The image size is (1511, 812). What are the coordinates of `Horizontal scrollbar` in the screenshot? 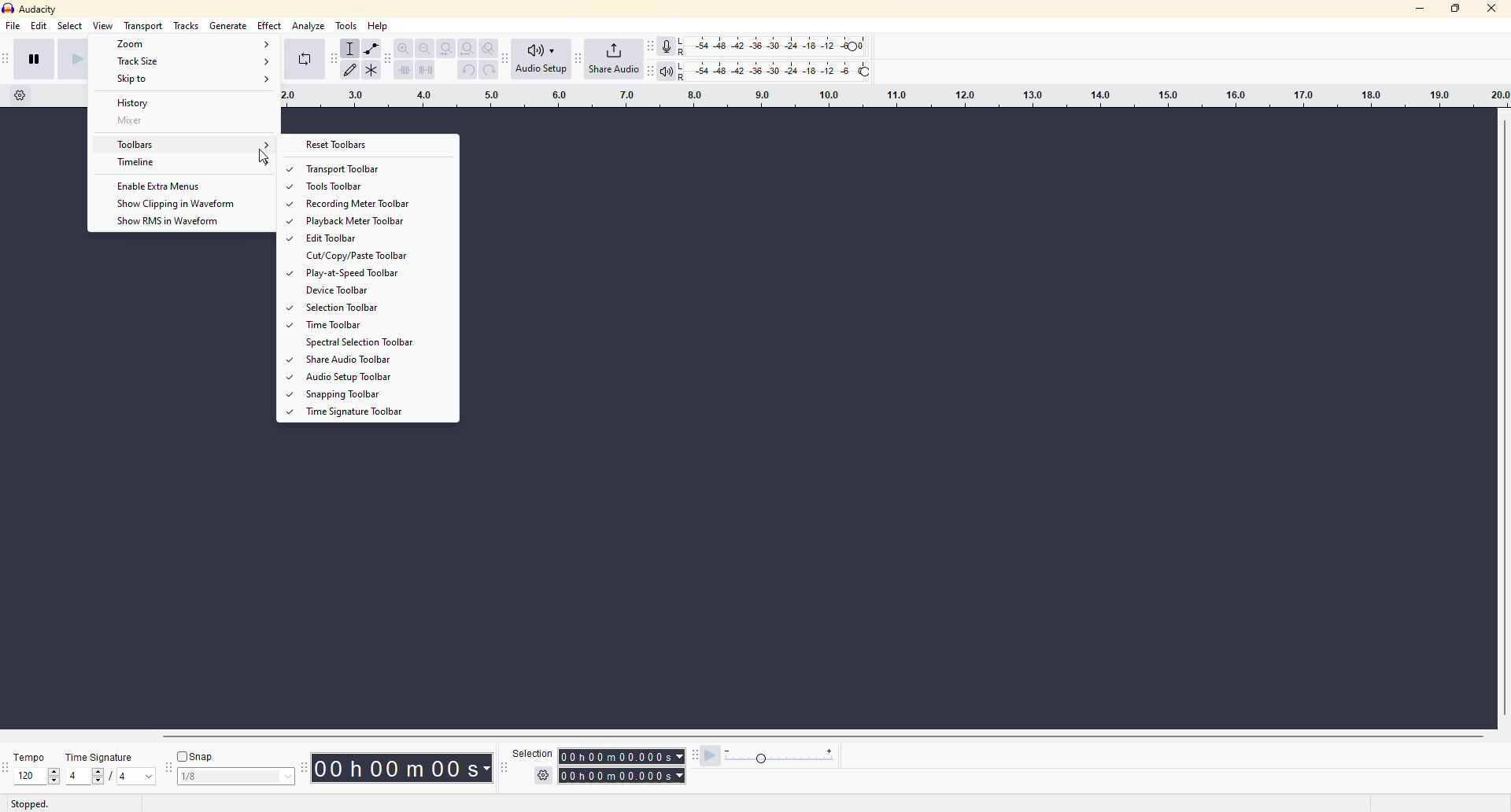 It's located at (806, 736).